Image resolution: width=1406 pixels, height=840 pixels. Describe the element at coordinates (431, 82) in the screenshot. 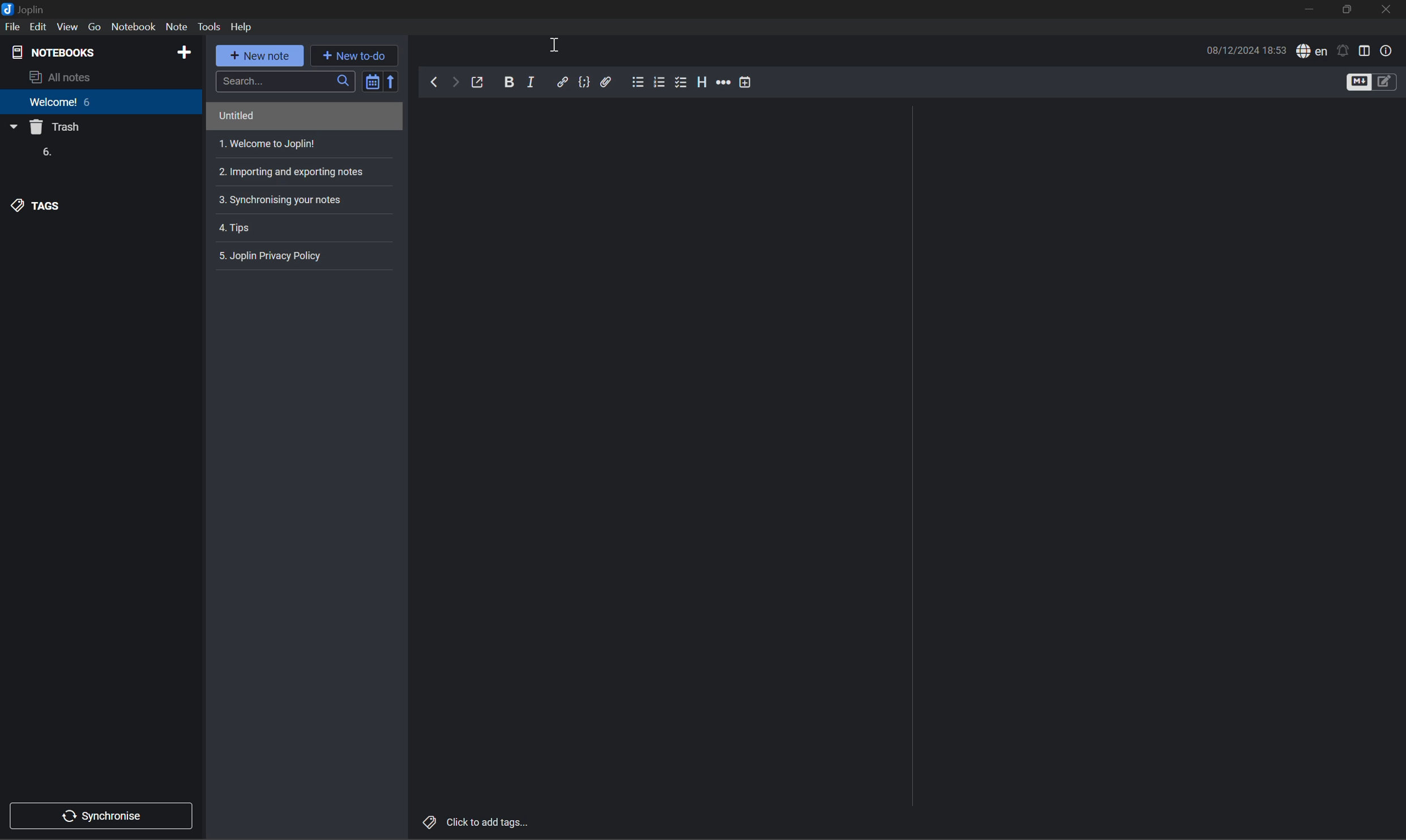

I see `Back` at that location.